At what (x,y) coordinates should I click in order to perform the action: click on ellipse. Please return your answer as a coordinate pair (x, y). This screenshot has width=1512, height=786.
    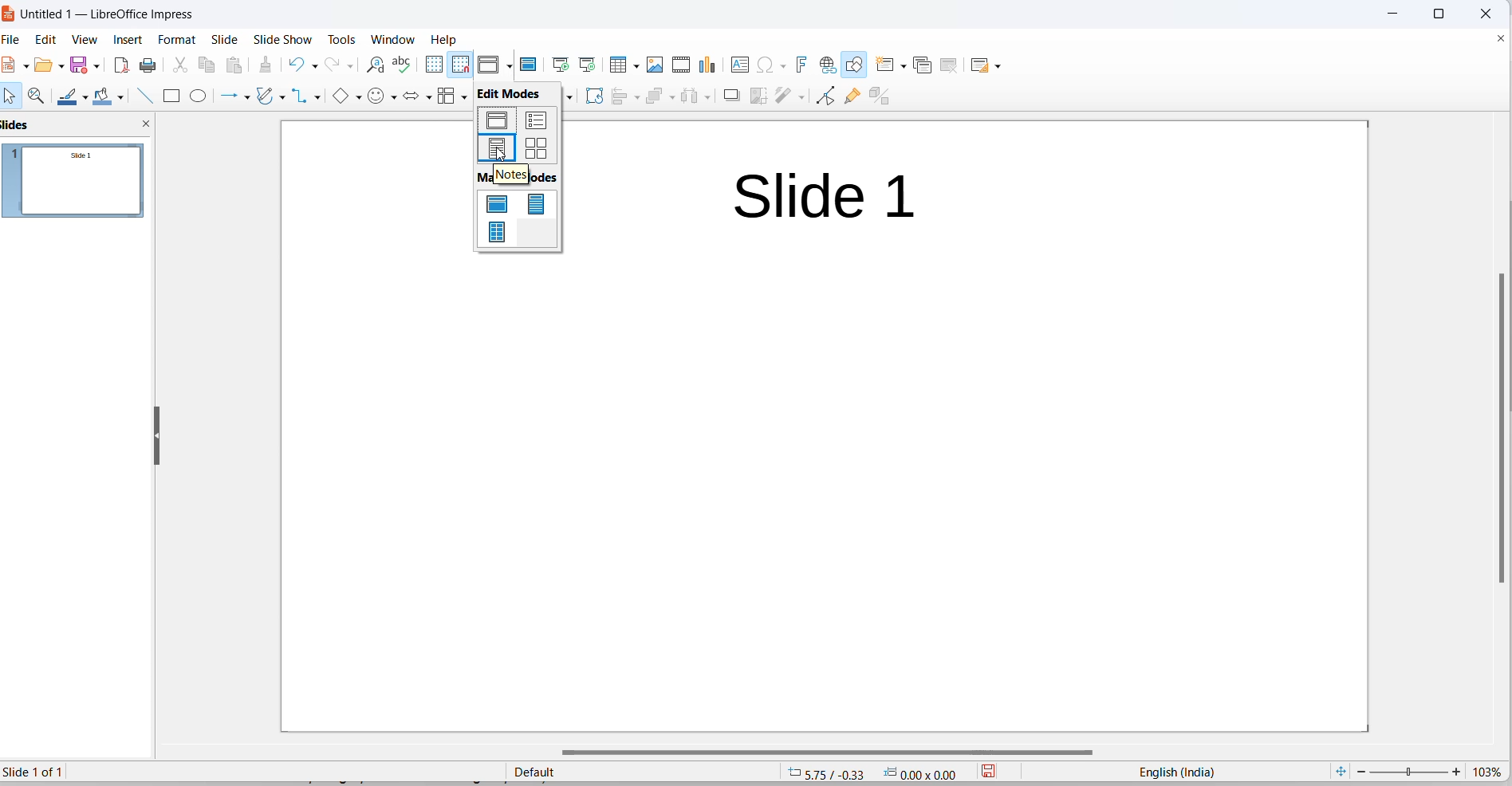
    Looking at the image, I should click on (199, 96).